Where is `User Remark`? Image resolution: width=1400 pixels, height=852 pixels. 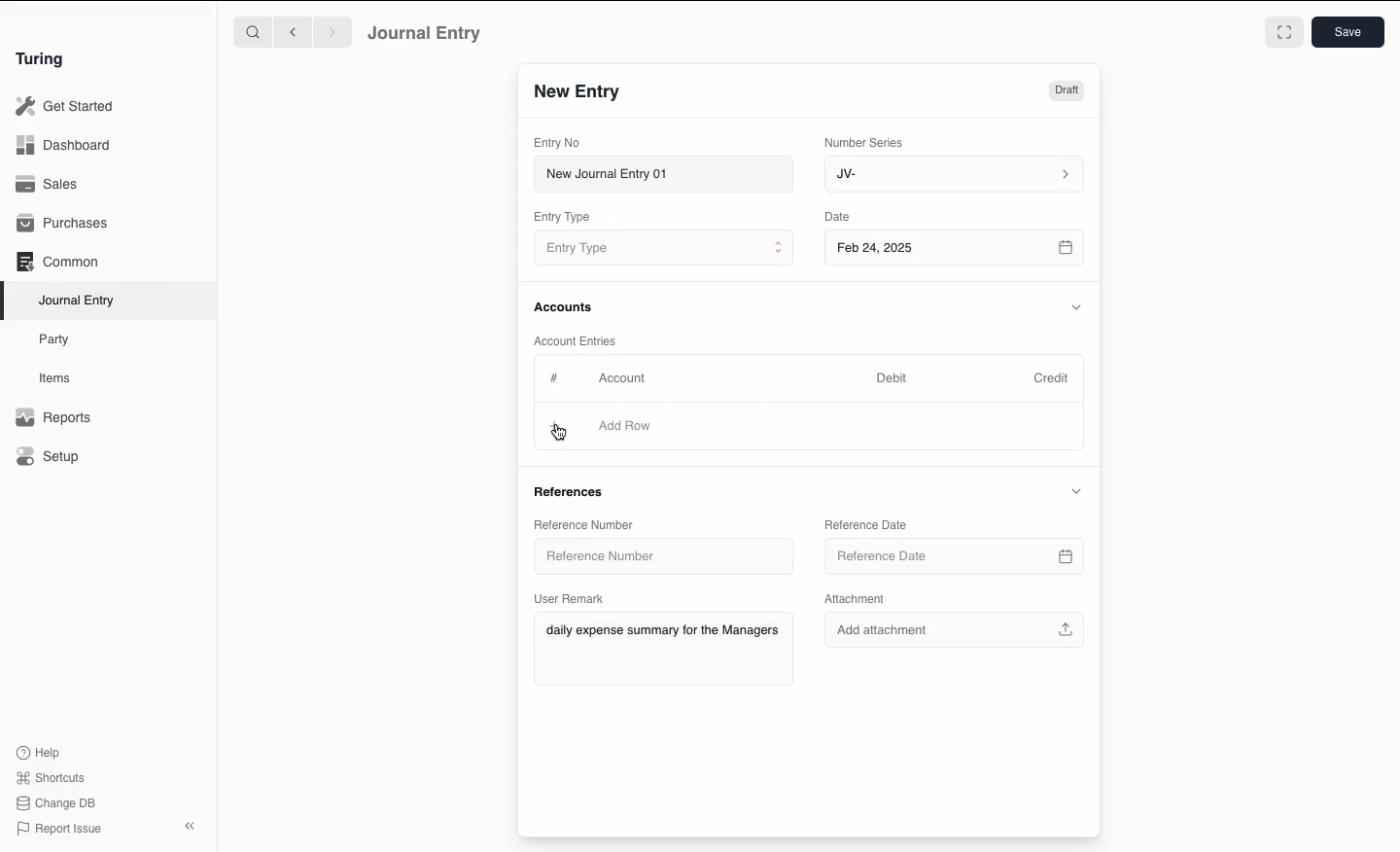
User Remark is located at coordinates (568, 598).